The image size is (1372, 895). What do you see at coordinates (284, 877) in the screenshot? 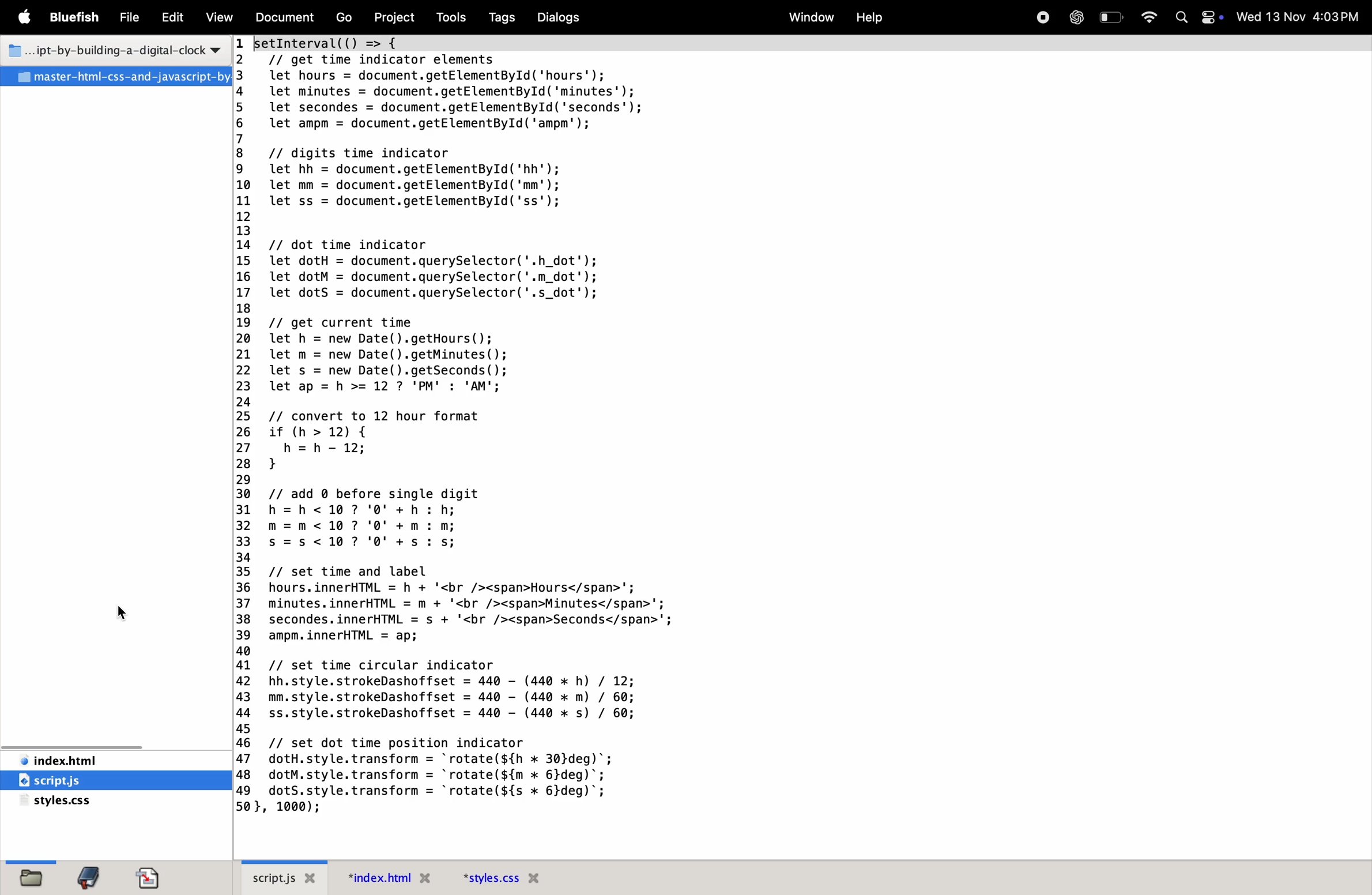
I see `script.js` at bounding box center [284, 877].